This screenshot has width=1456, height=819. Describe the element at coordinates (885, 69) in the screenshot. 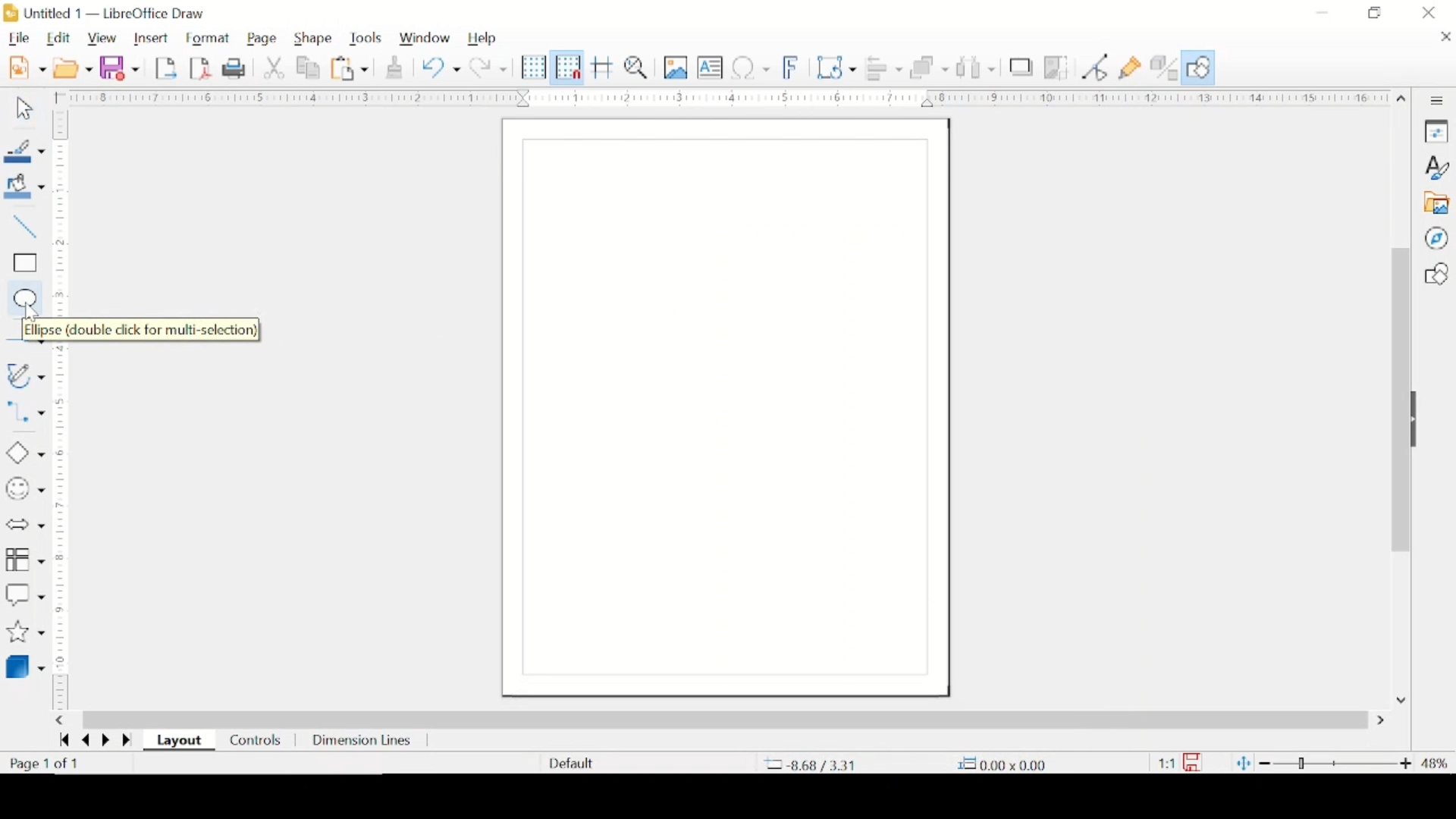

I see `align objects` at that location.